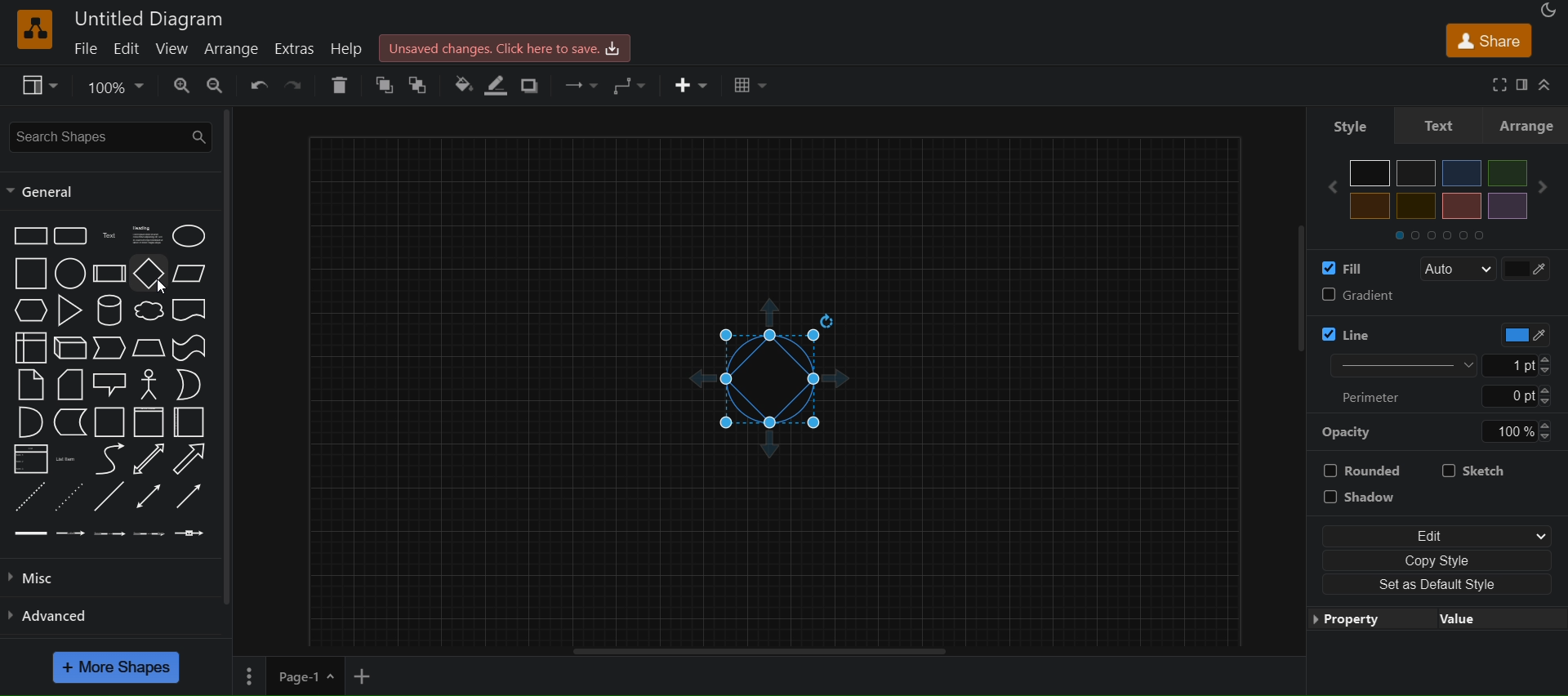 This screenshot has width=1568, height=696. Describe the element at coordinates (1506, 172) in the screenshot. I see `green color` at that location.